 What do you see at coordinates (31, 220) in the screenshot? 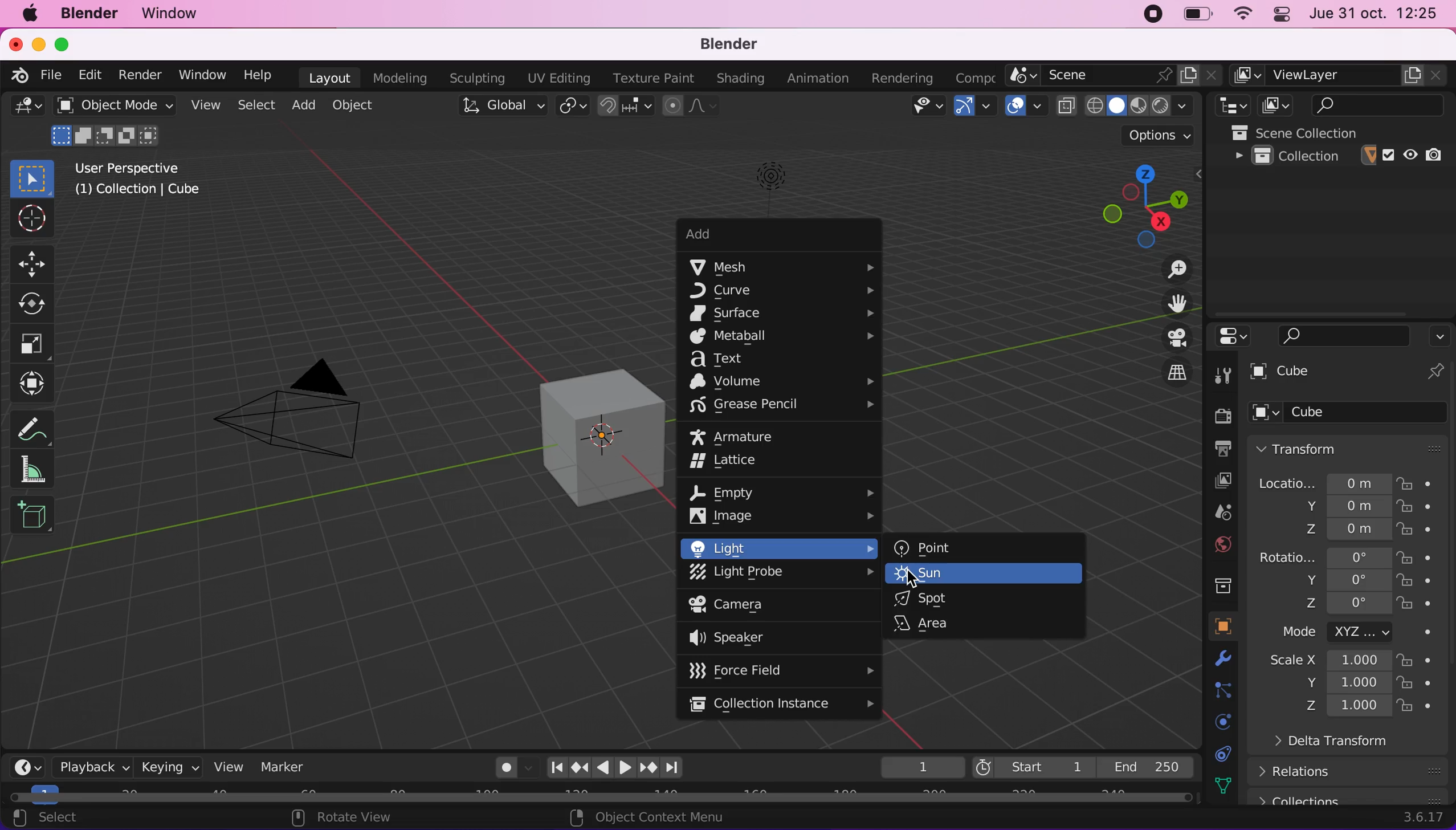
I see `cursor` at bounding box center [31, 220].